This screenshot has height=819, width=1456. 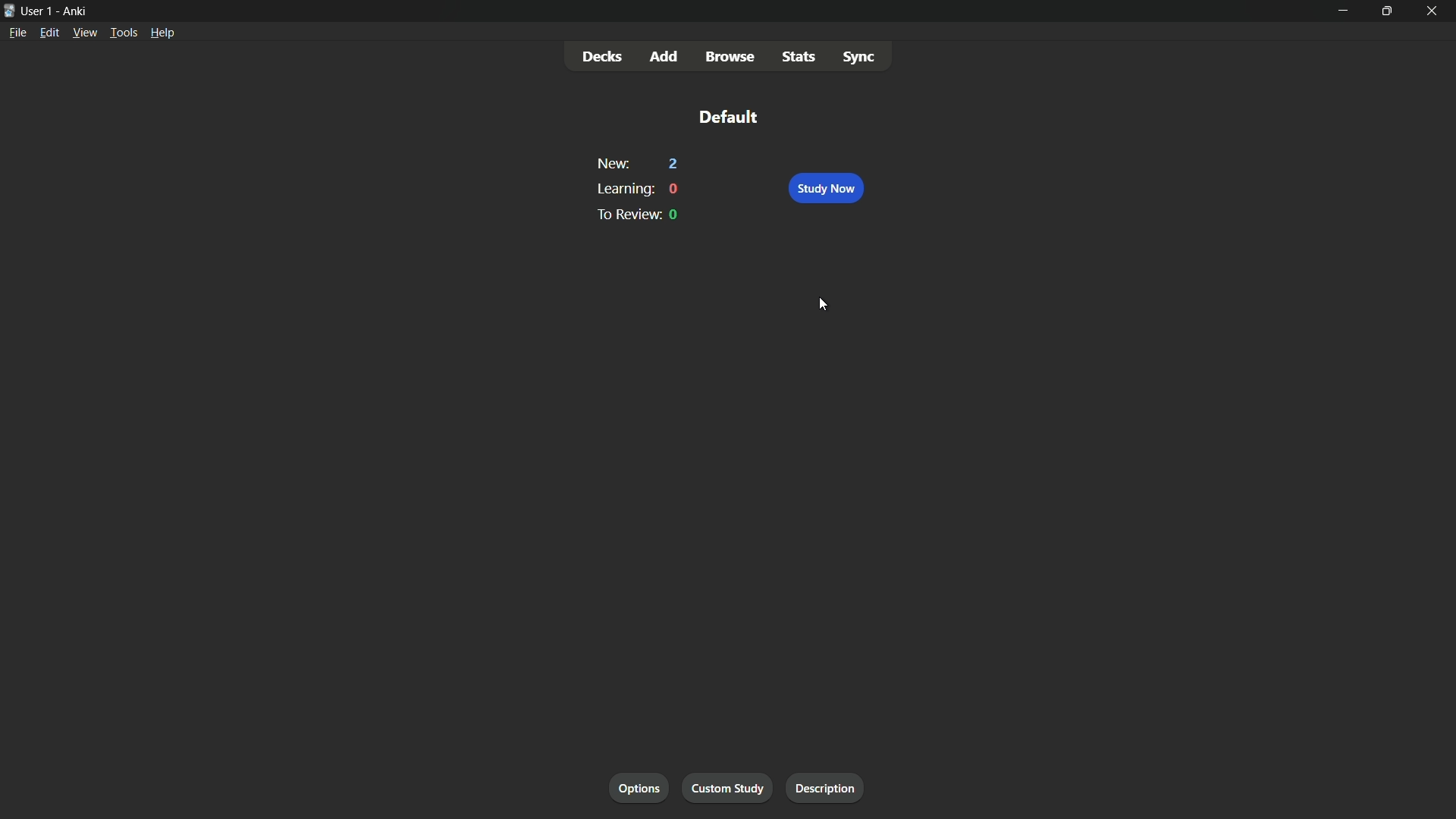 I want to click on help menu, so click(x=162, y=34).